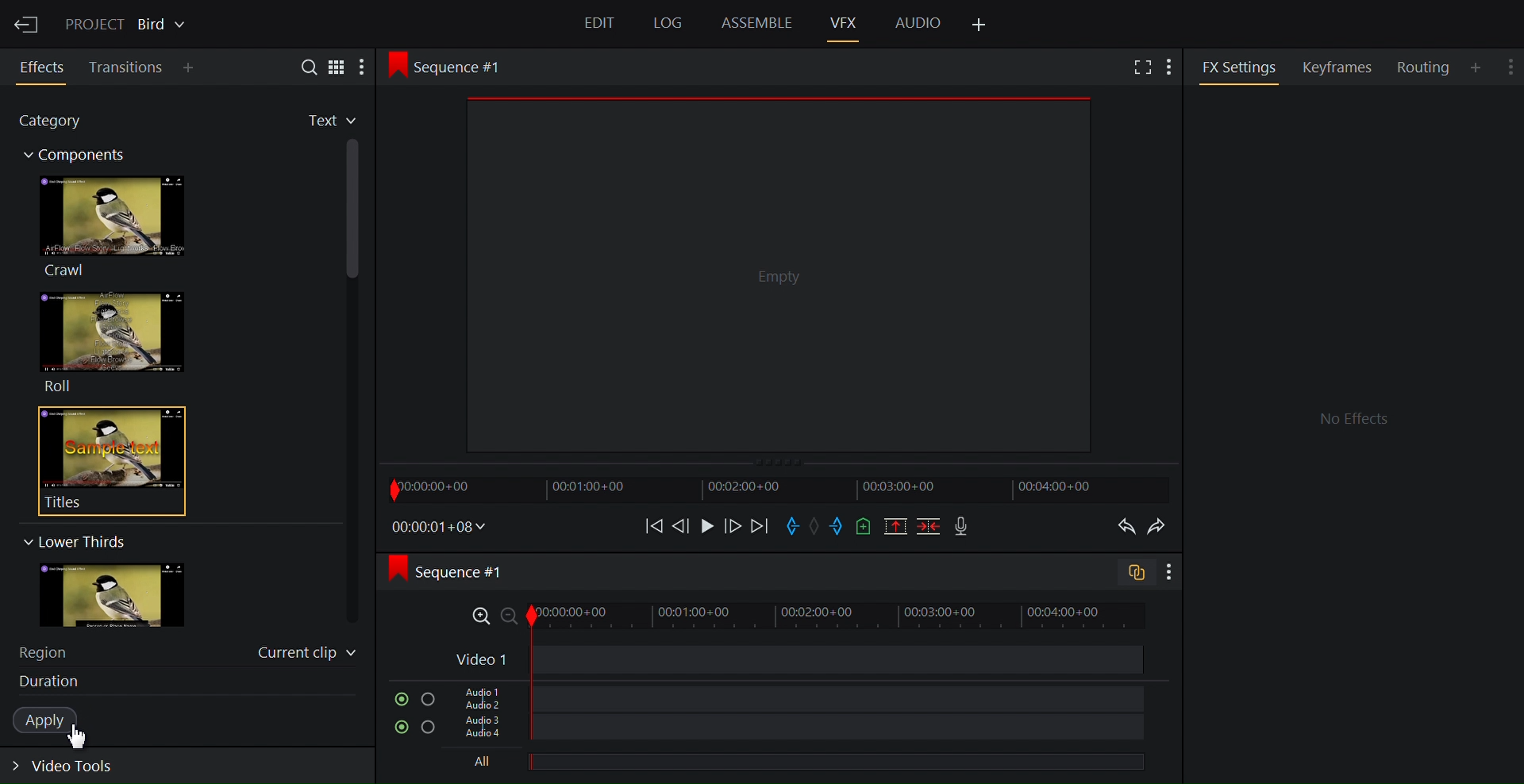 The width and height of the screenshot is (1524, 784). I want to click on Full screen, so click(1140, 68).